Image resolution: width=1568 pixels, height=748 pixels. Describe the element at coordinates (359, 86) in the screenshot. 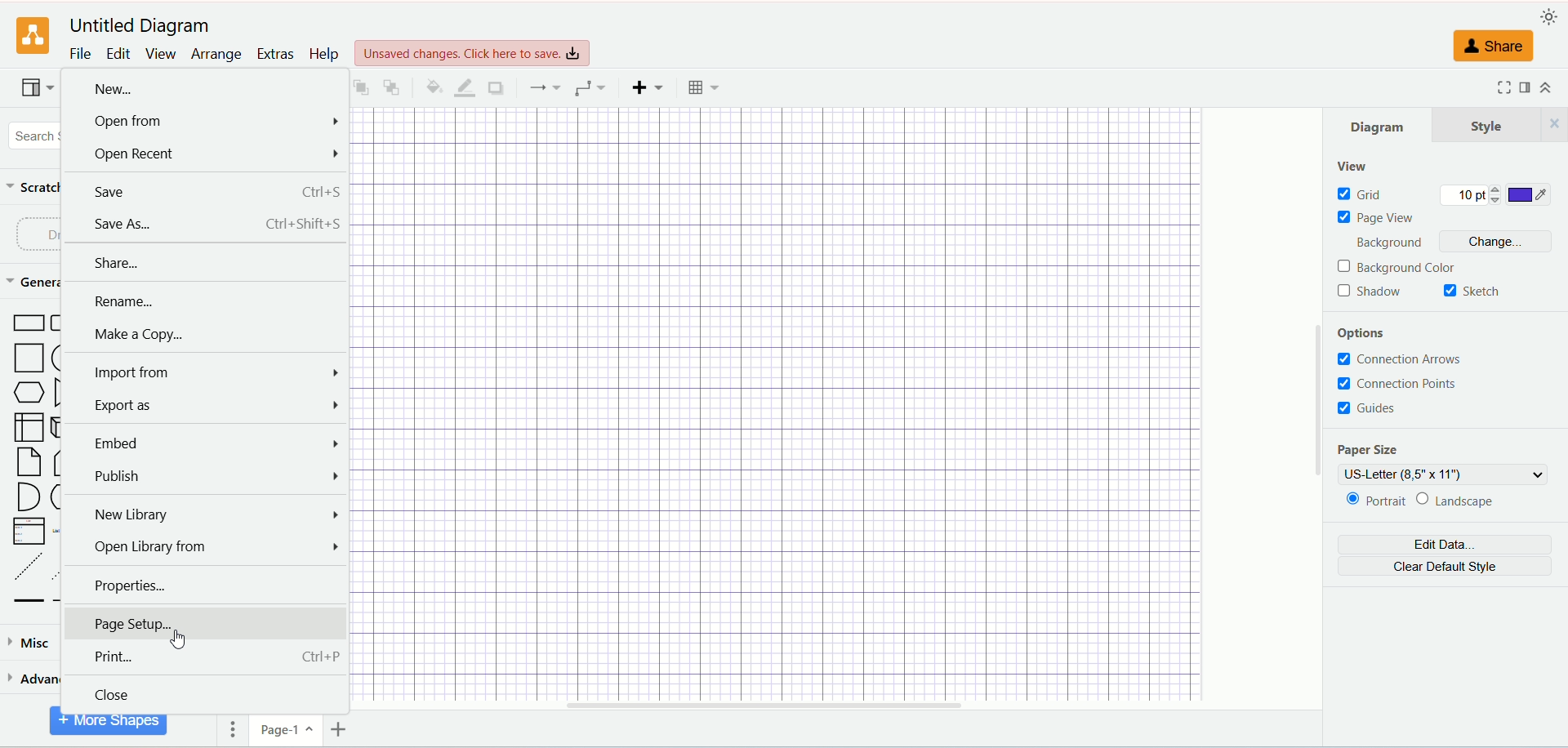

I see `to front` at that location.